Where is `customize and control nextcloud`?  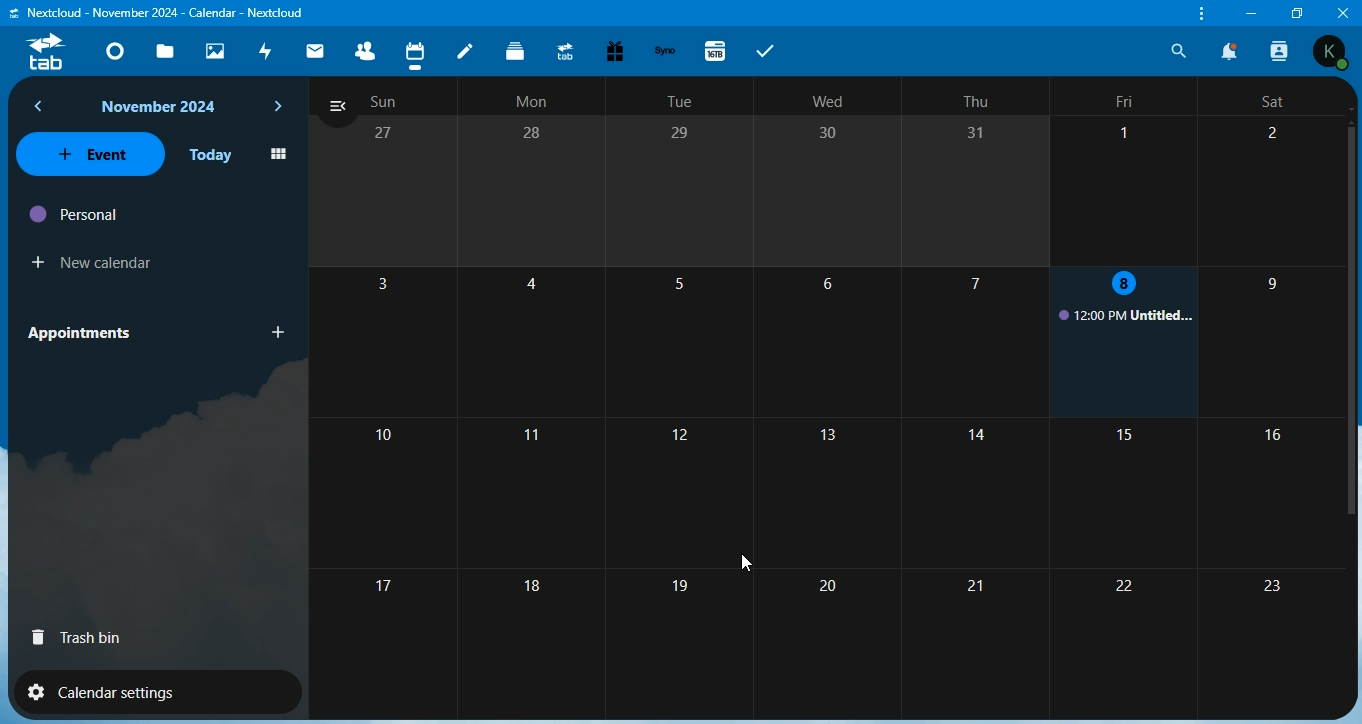
customize and control nextcloud is located at coordinates (1202, 15).